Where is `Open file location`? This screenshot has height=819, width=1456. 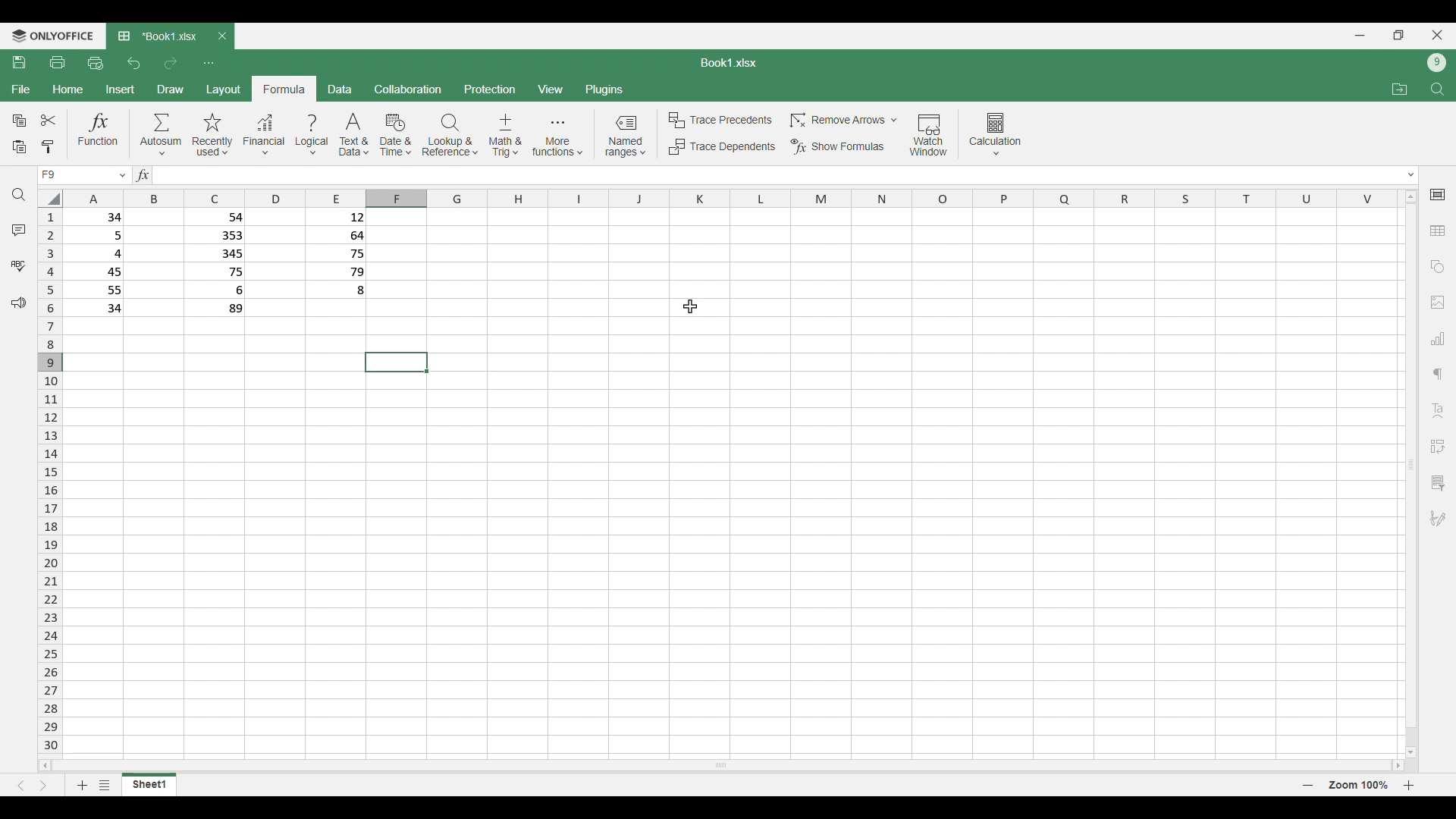 Open file location is located at coordinates (1400, 89).